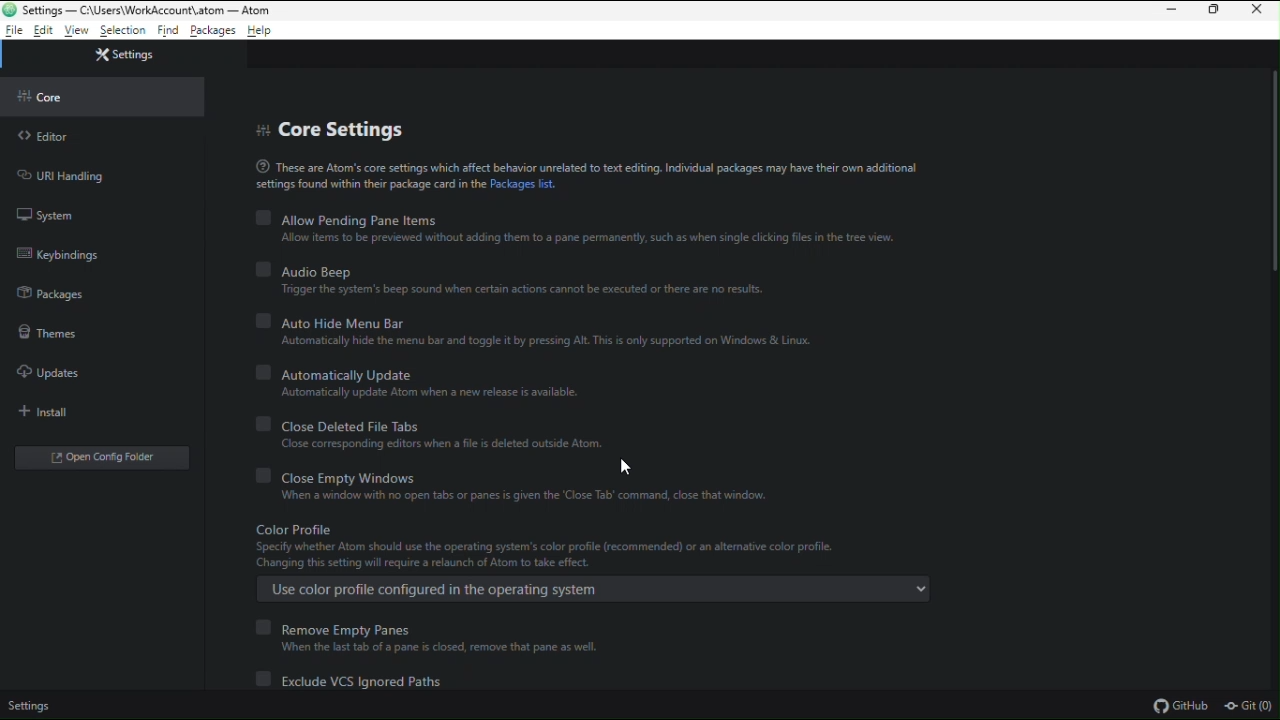 This screenshot has width=1280, height=720. Describe the element at coordinates (56, 253) in the screenshot. I see `keybinding` at that location.